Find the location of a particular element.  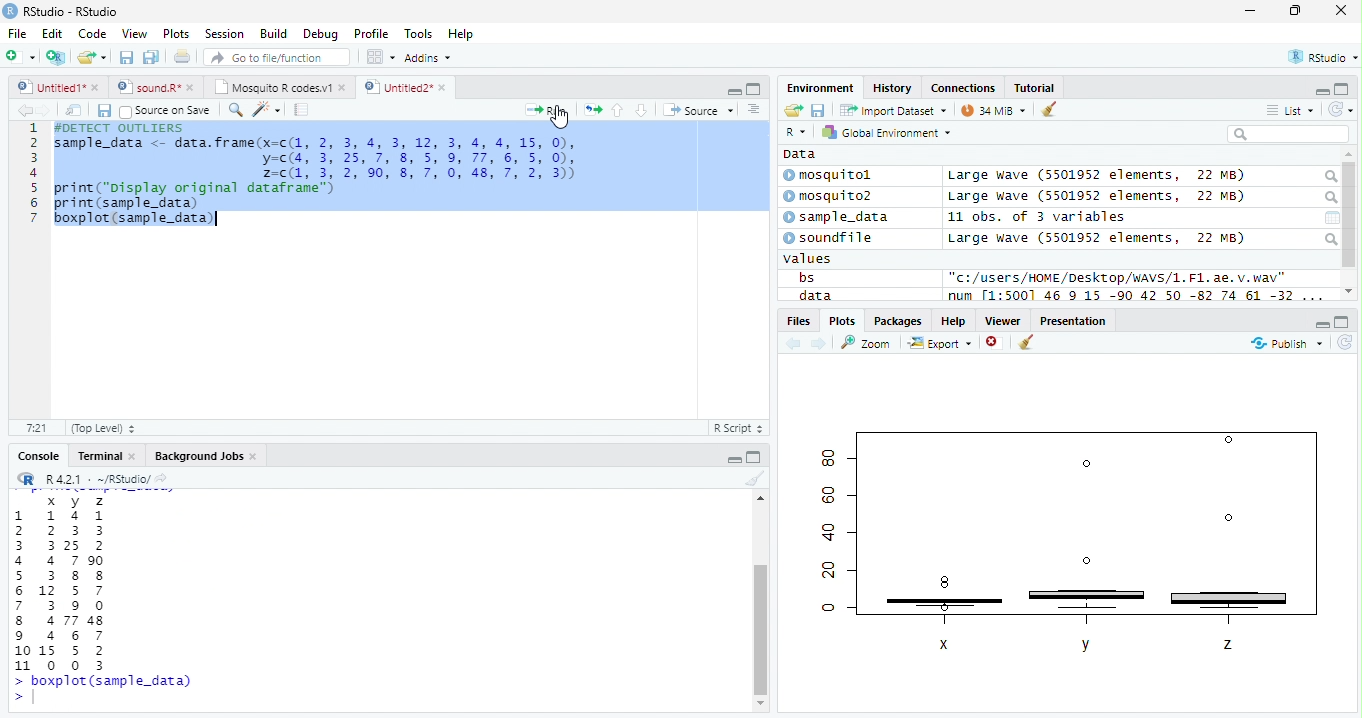

File is located at coordinates (18, 34).